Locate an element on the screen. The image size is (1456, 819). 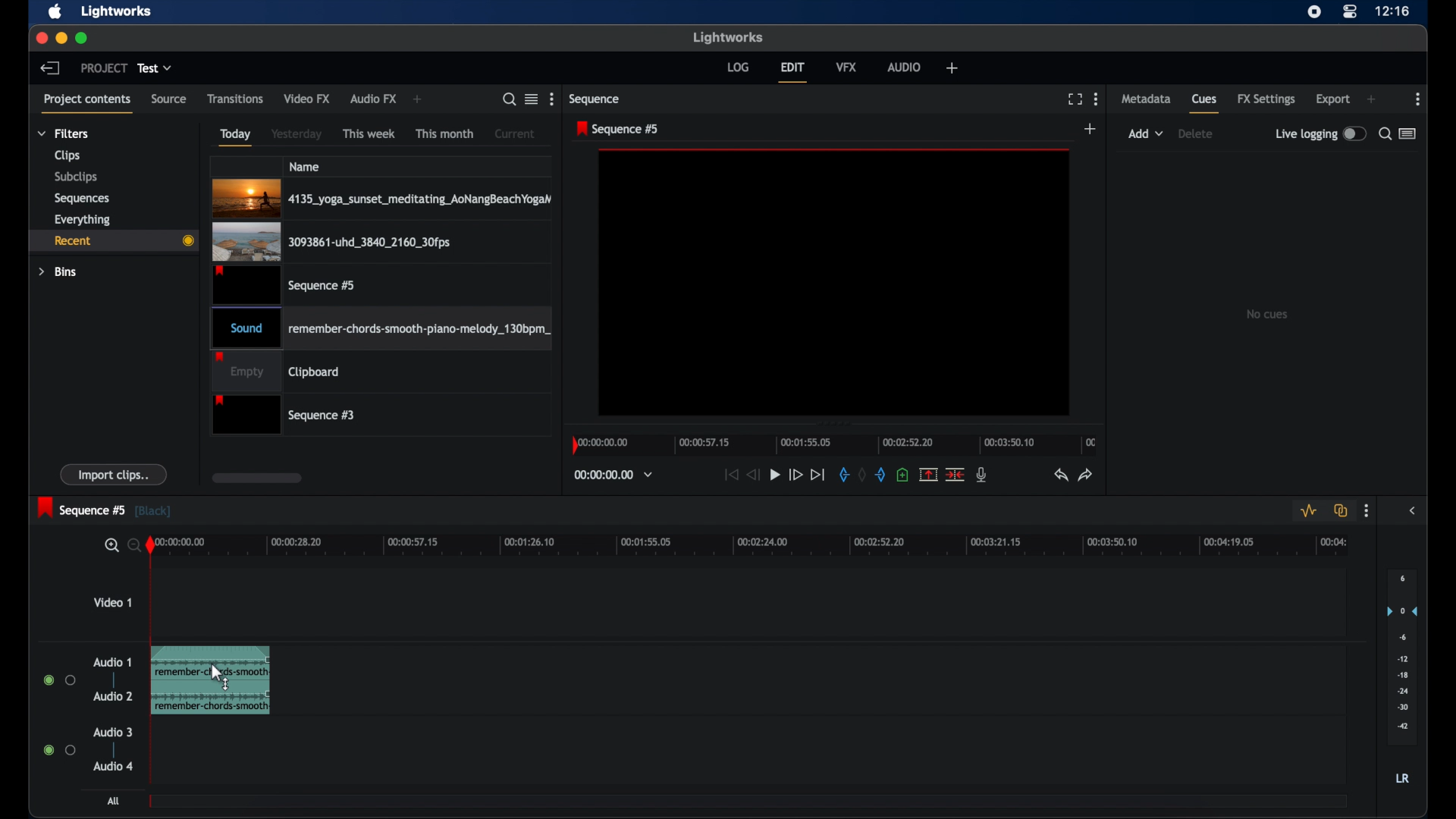
apple icon is located at coordinates (55, 12).